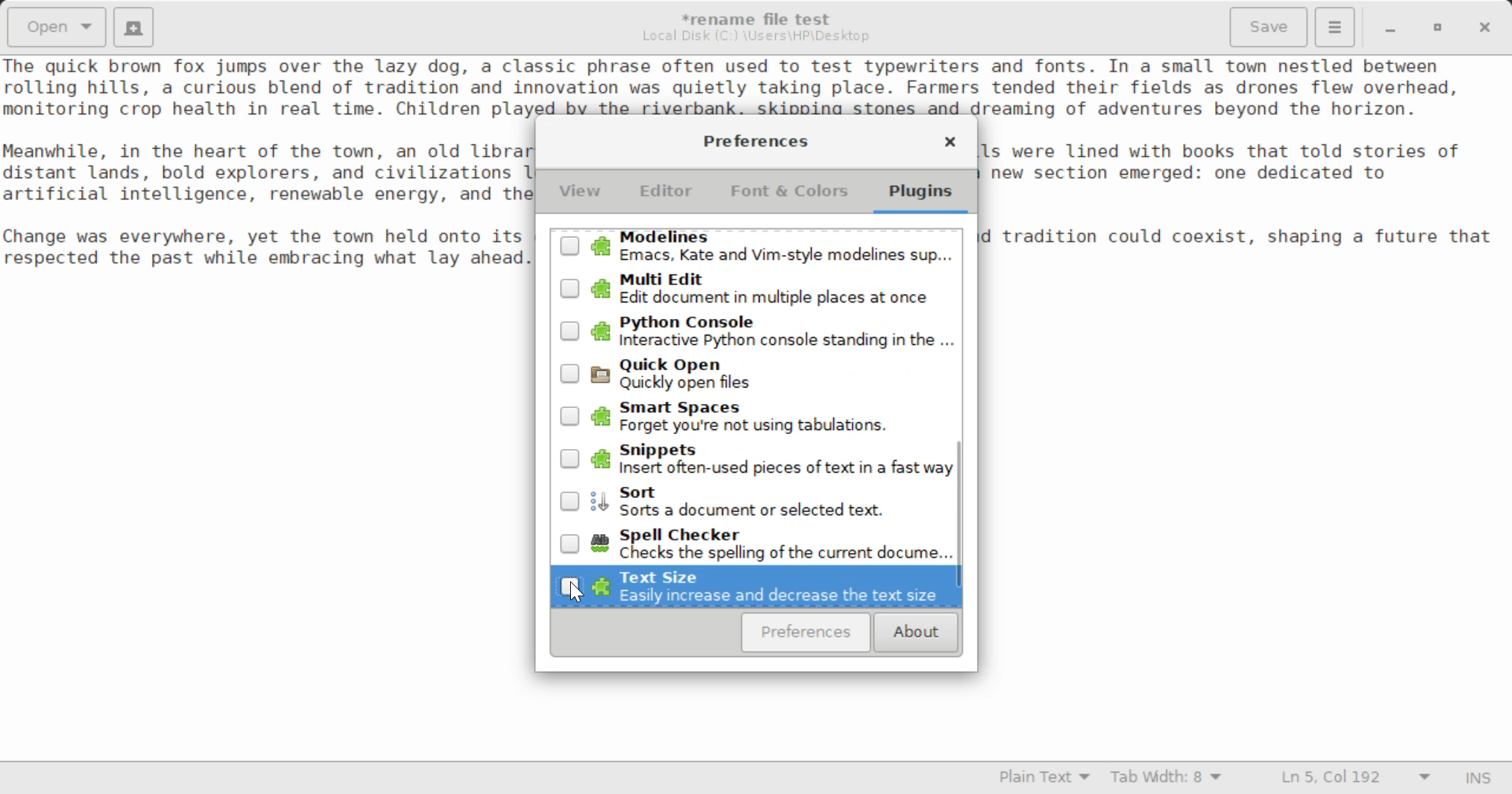  What do you see at coordinates (754, 421) in the screenshot?
I see `Unselected Smart Spaces` at bounding box center [754, 421].